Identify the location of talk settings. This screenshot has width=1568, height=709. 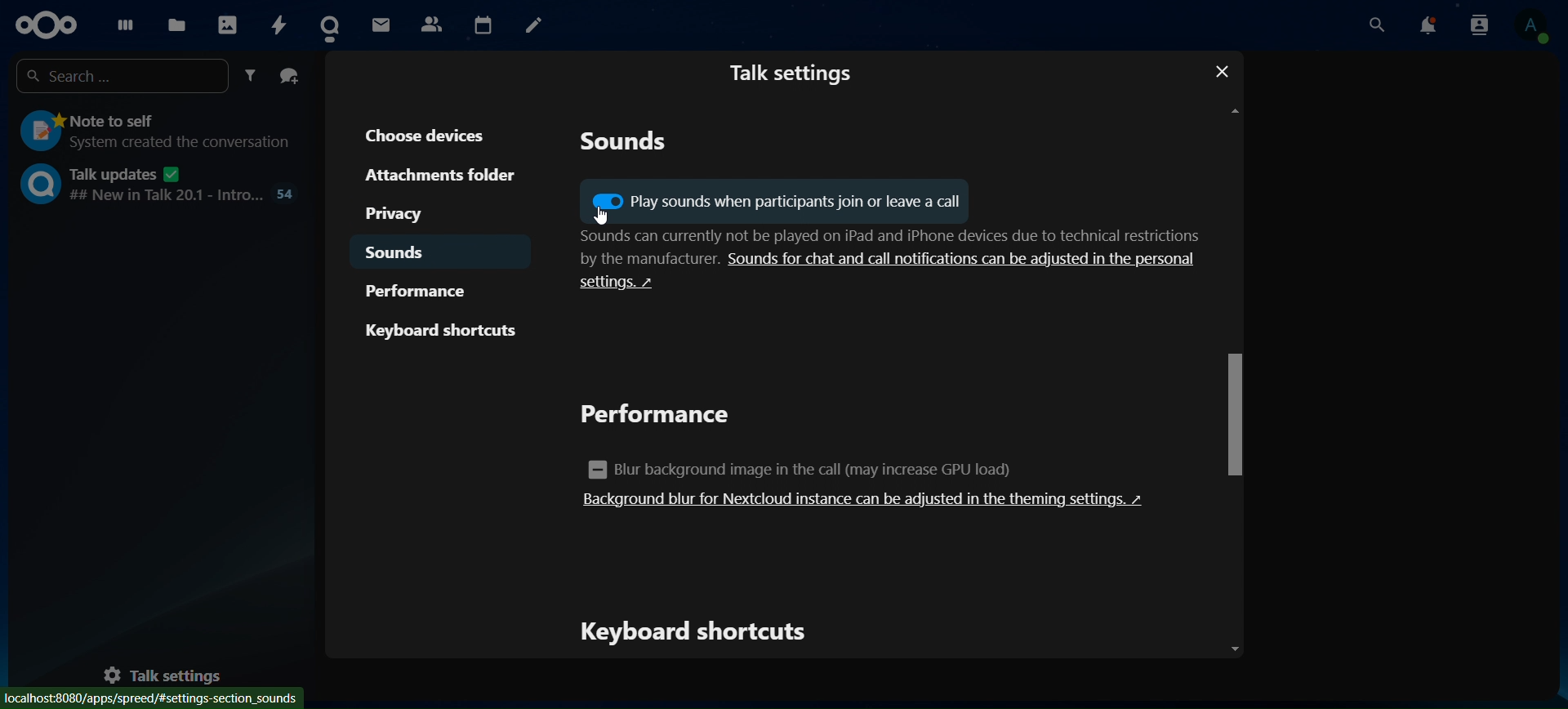
(792, 71).